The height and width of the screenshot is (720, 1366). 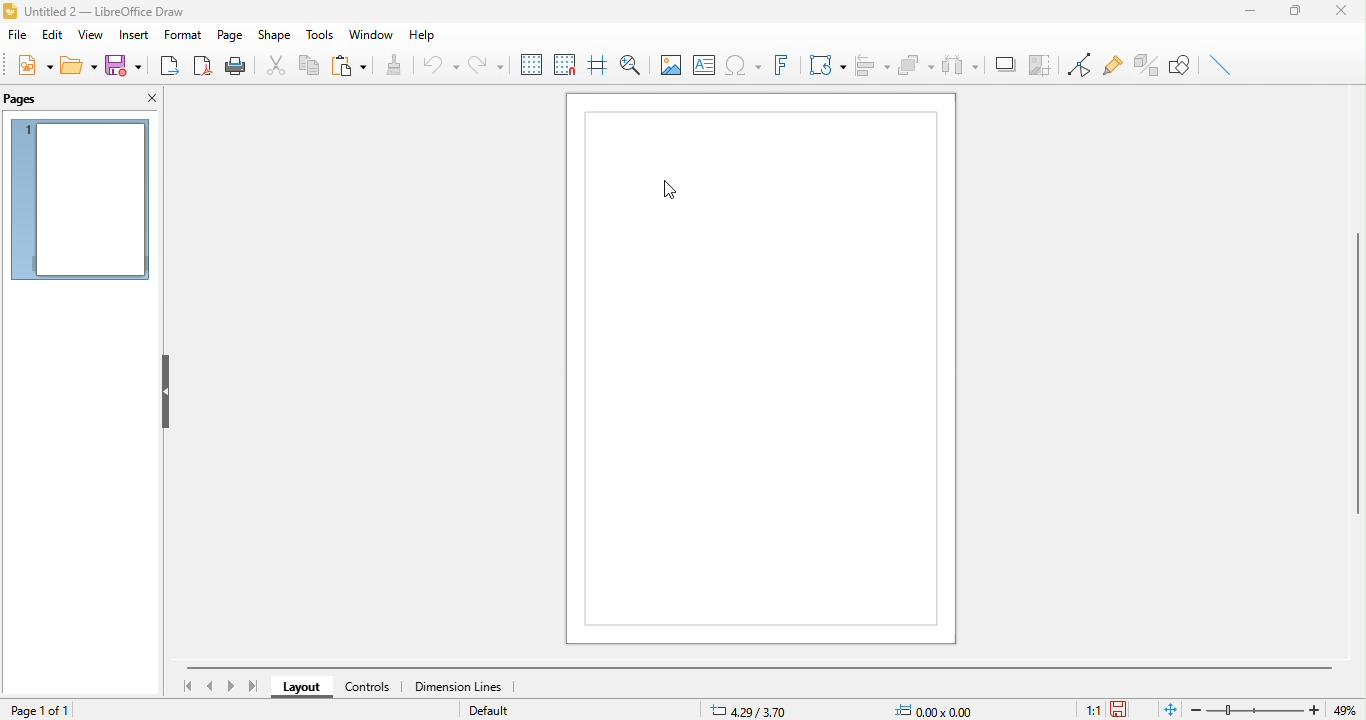 What do you see at coordinates (937, 707) in the screenshot?
I see `0.00x0.00` at bounding box center [937, 707].